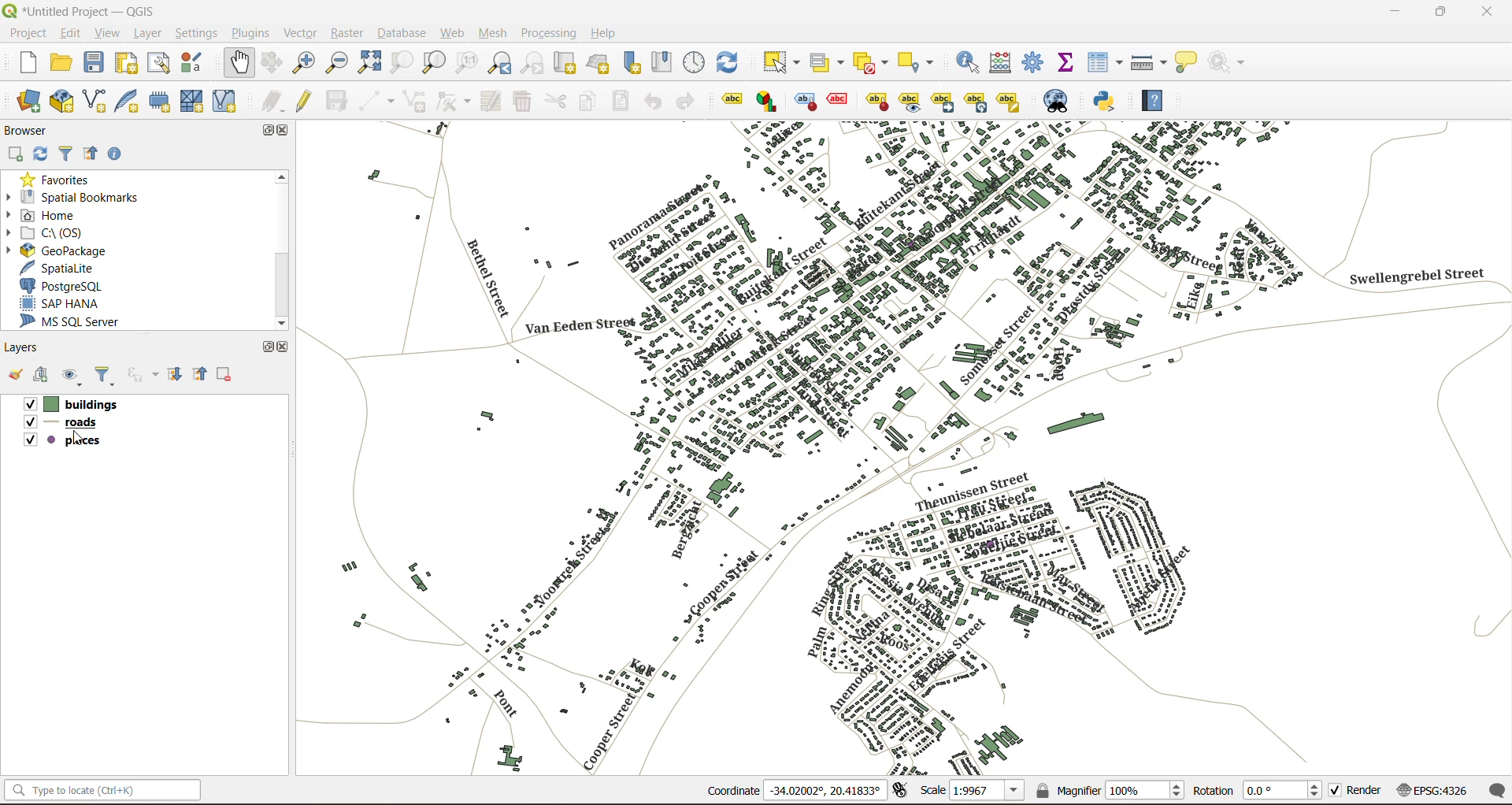  I want to click on add, so click(43, 374).